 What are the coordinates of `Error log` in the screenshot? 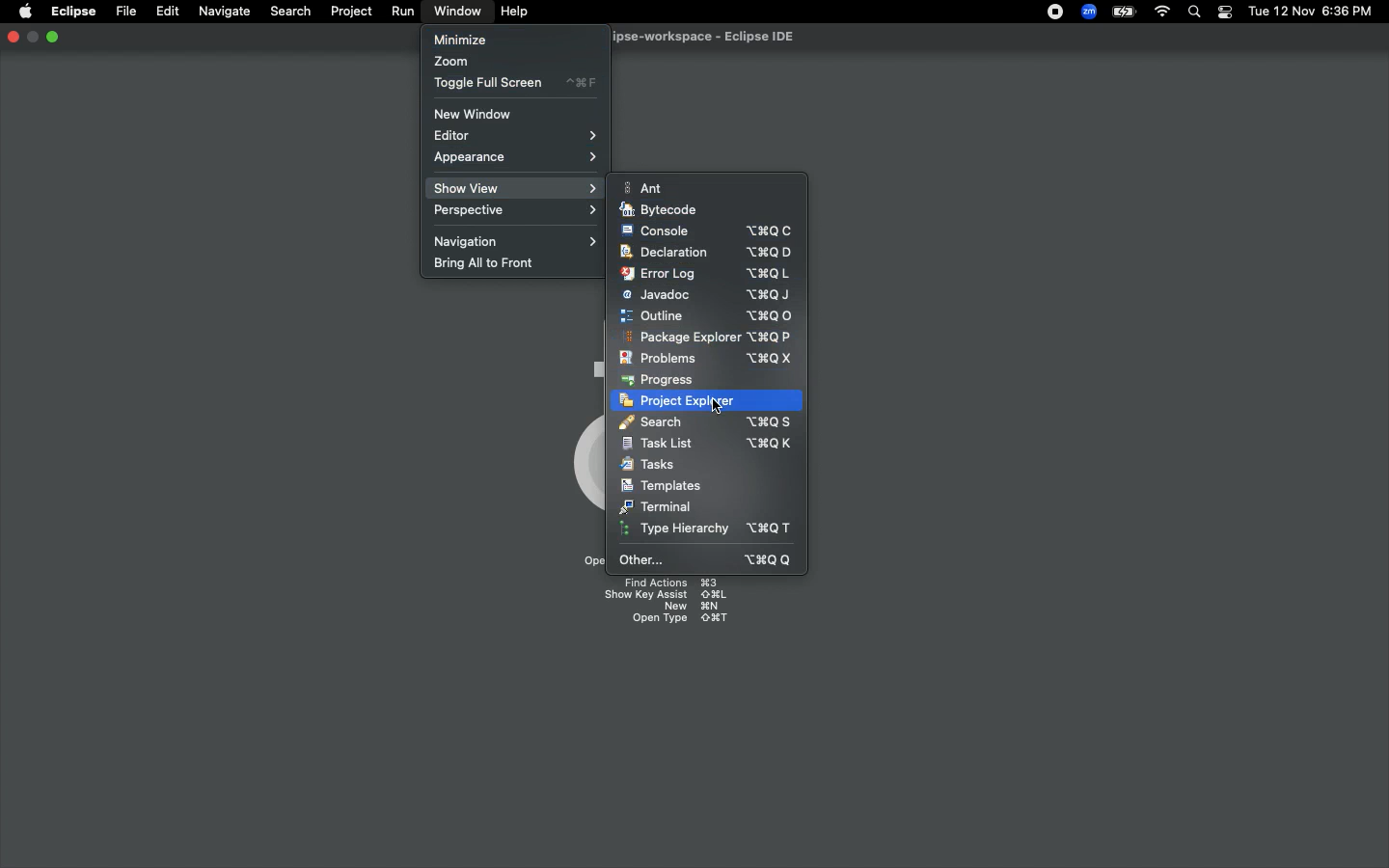 It's located at (705, 273).